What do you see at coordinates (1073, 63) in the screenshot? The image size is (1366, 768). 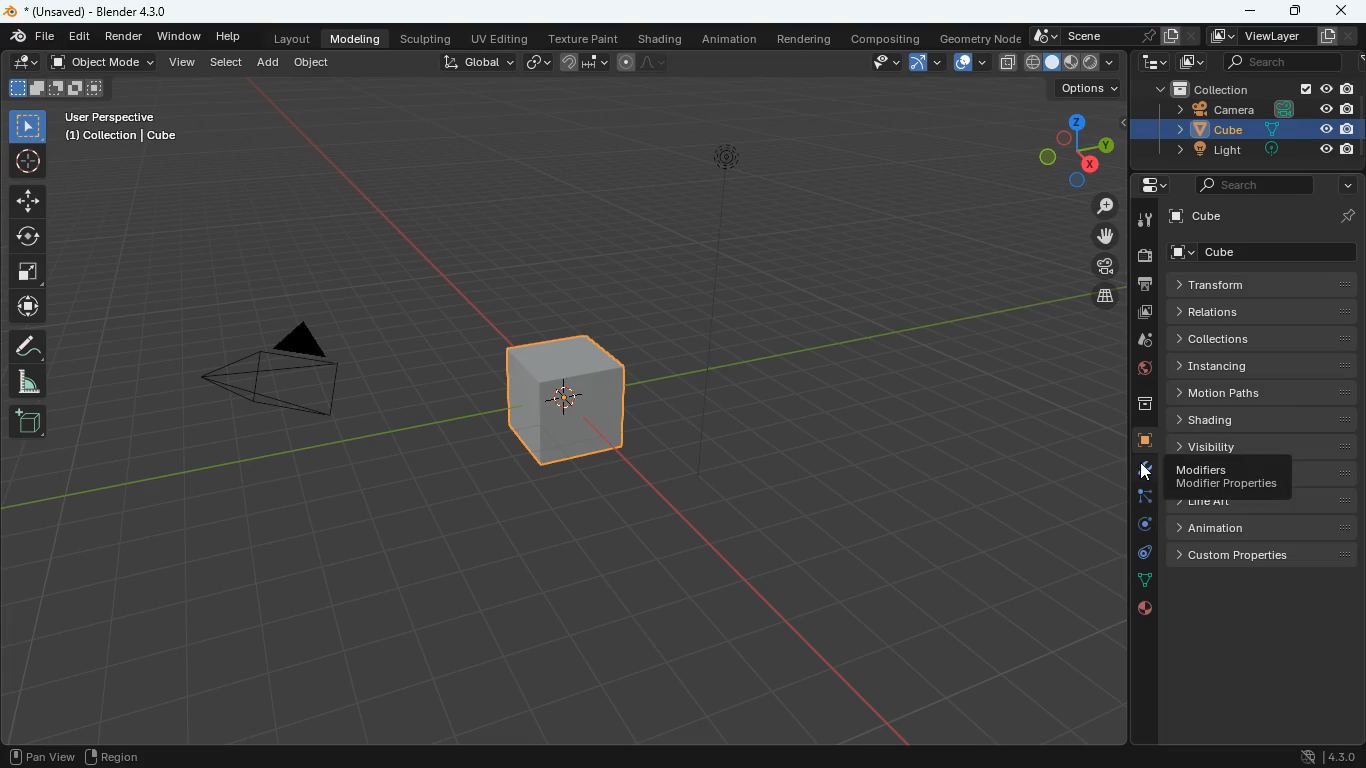 I see `cube type` at bounding box center [1073, 63].